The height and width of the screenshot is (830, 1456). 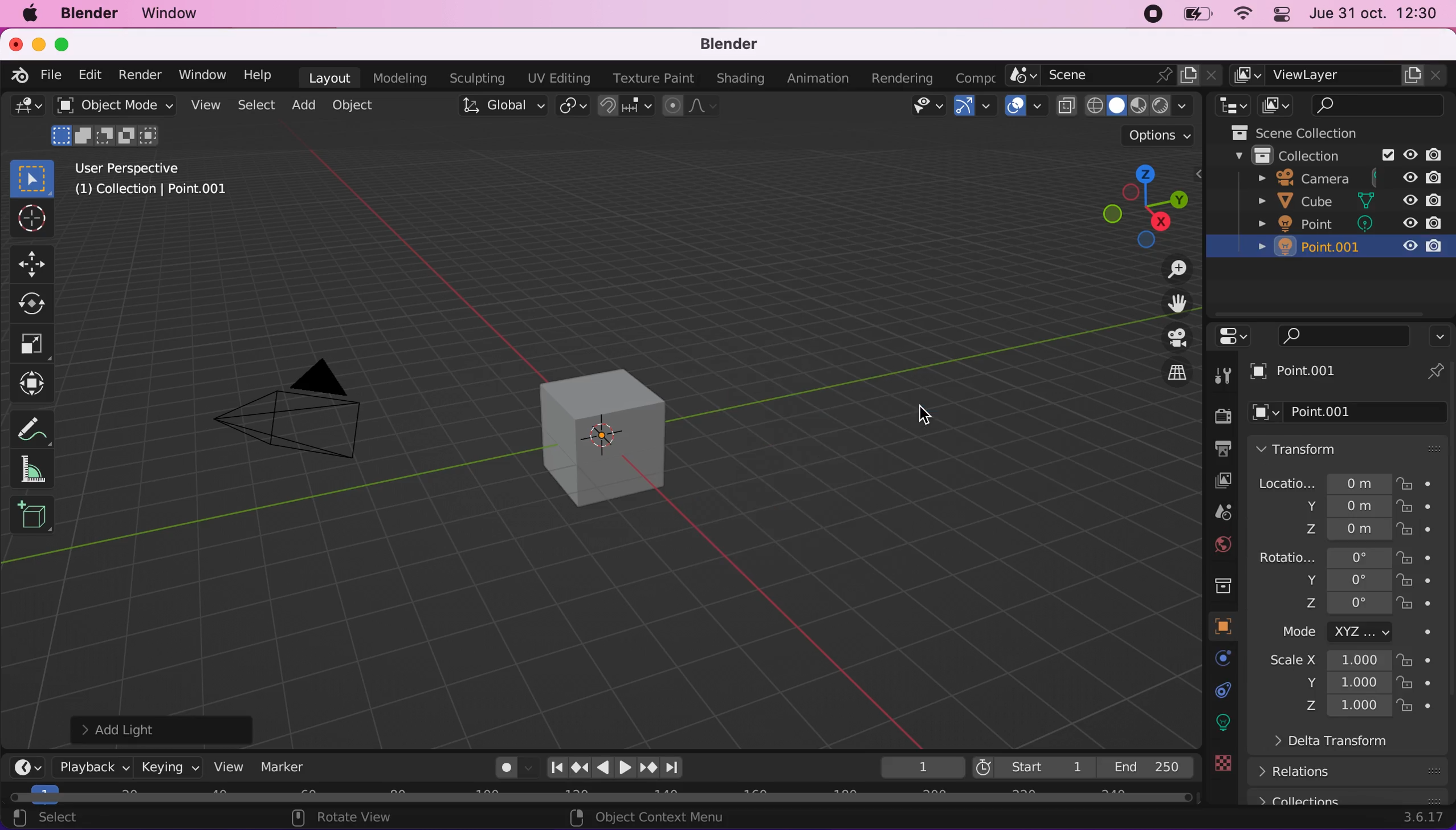 I want to click on shading, so click(x=744, y=78).